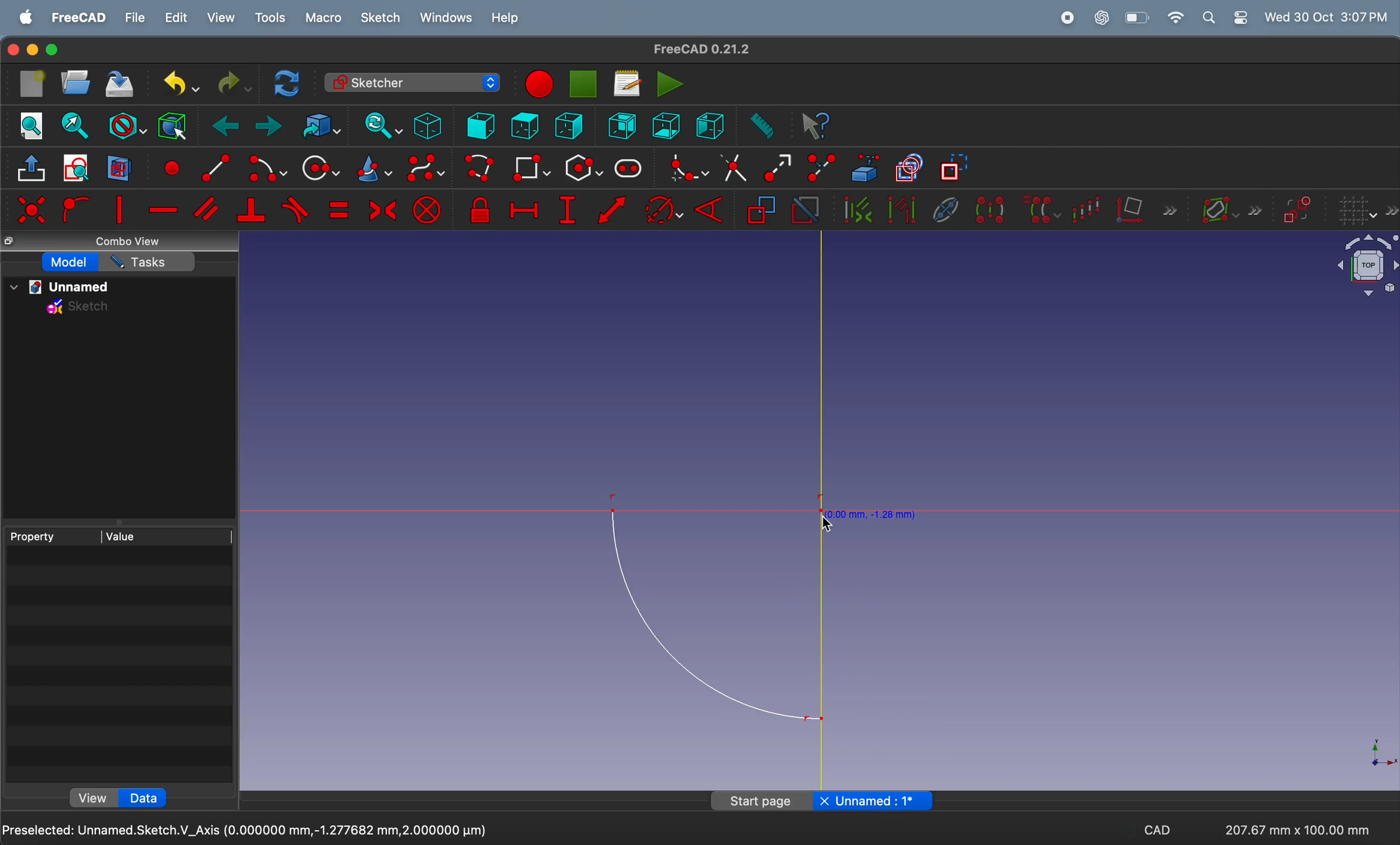  Describe the element at coordinates (31, 210) in the screenshot. I see `constrain co incident` at that location.